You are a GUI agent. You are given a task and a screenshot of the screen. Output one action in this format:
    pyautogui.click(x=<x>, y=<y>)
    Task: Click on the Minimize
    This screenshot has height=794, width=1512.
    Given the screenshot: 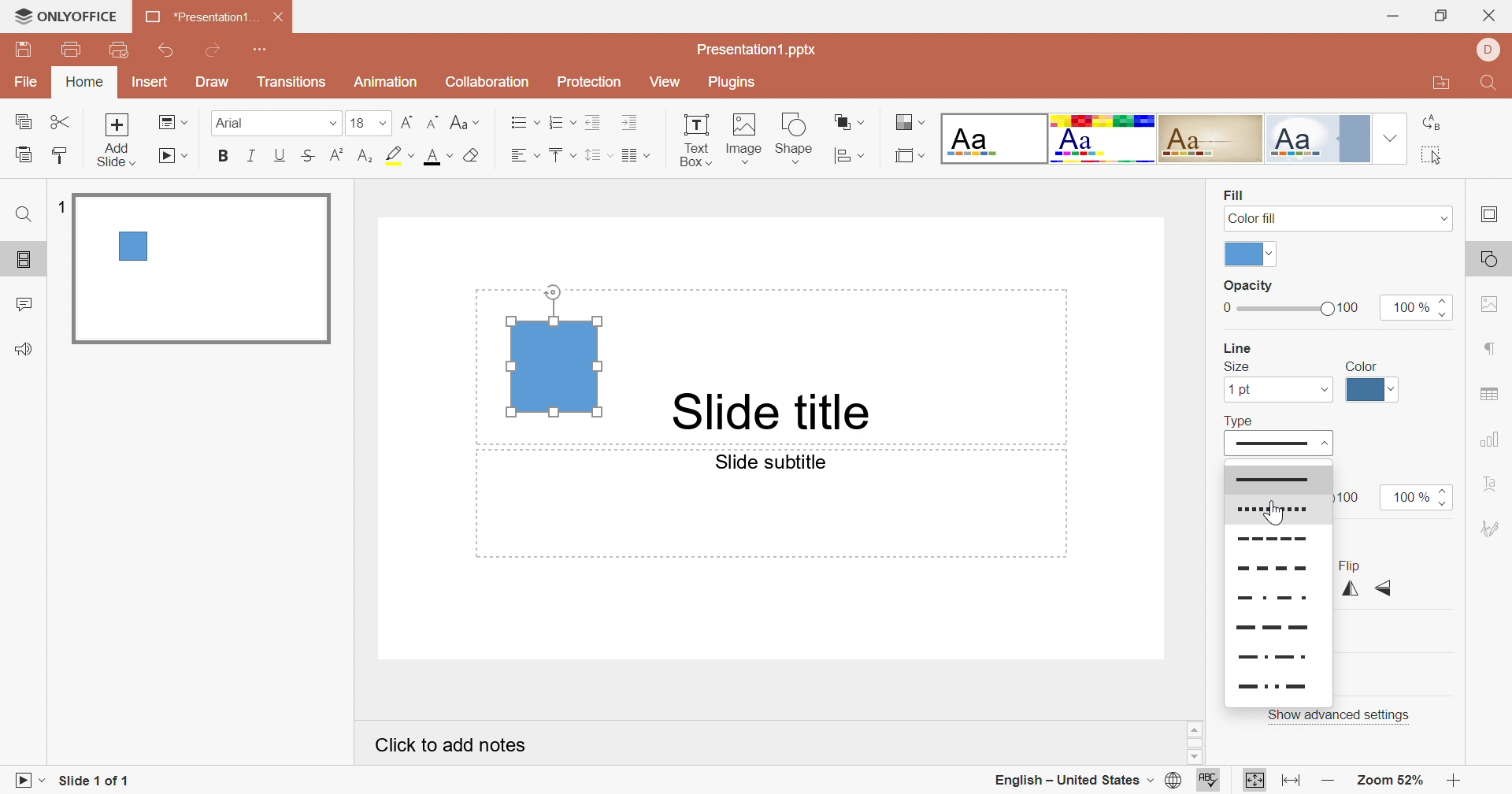 What is the action you would take?
    pyautogui.click(x=1392, y=17)
    